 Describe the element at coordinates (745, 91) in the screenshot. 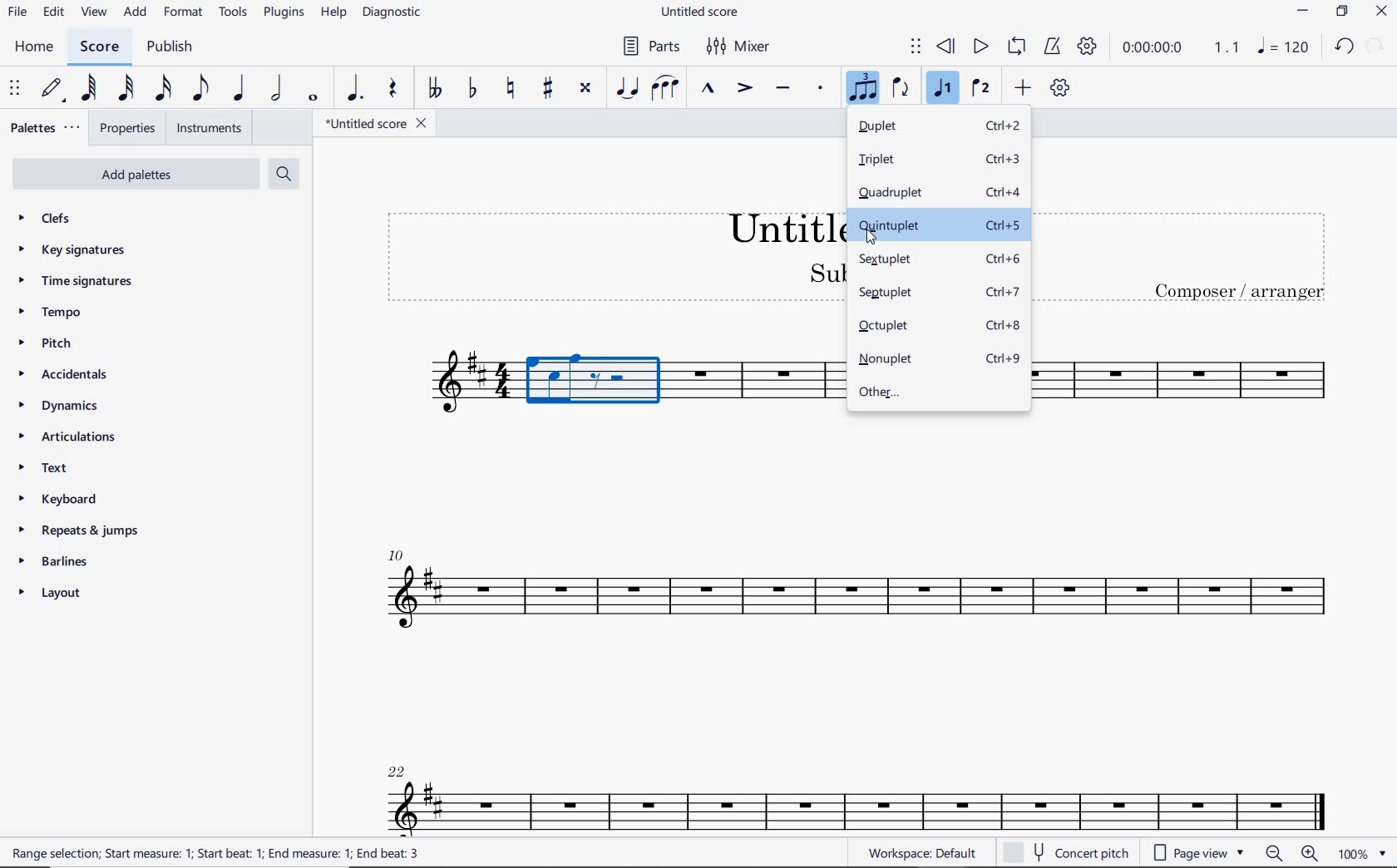

I see `ACCENT` at that location.